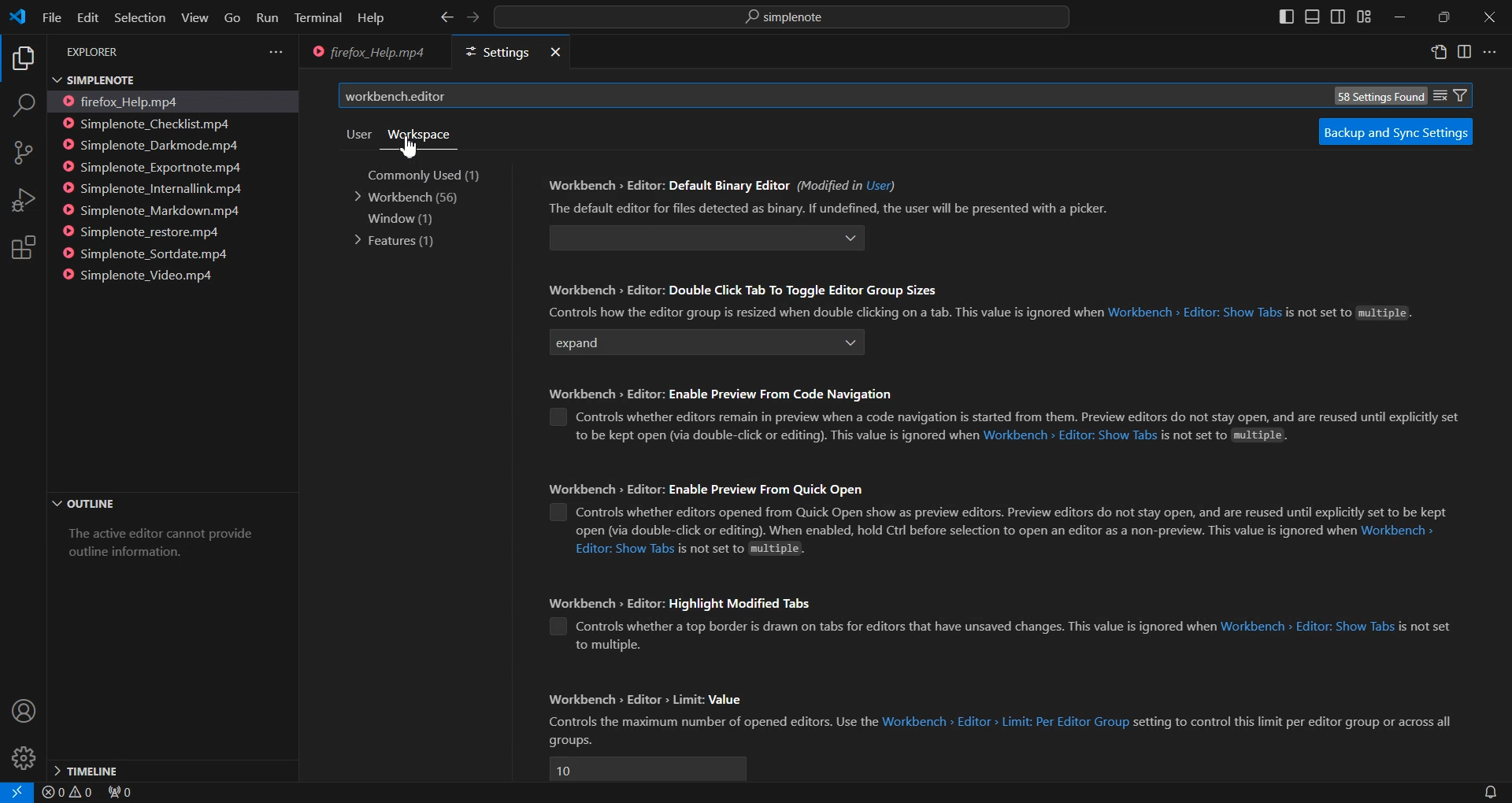 This screenshot has width=1512, height=803. Describe the element at coordinates (152, 123) in the screenshot. I see `Simplenote_Checklist.mp4` at that location.